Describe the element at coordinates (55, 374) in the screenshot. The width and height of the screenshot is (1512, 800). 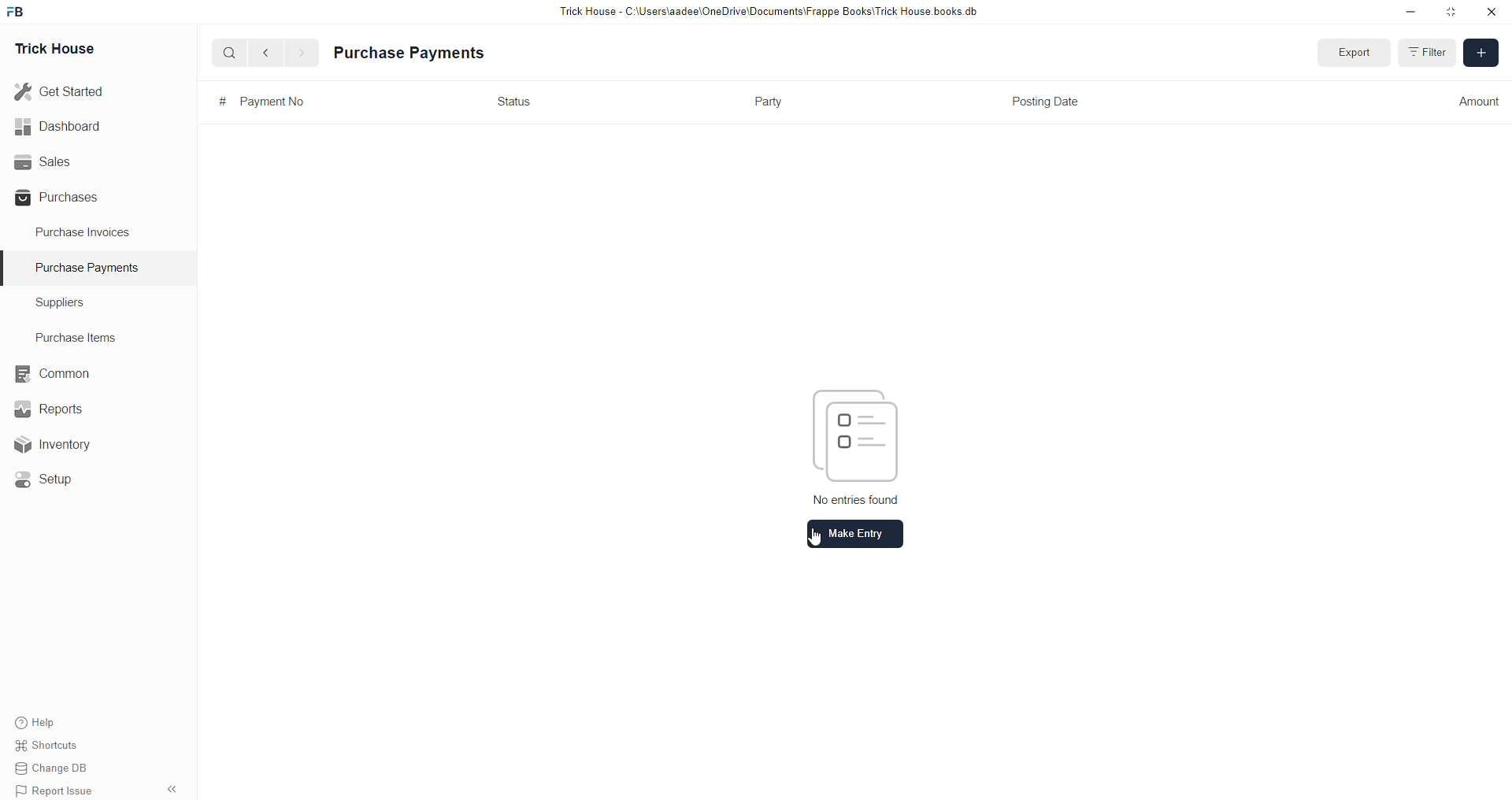
I see `common` at that location.